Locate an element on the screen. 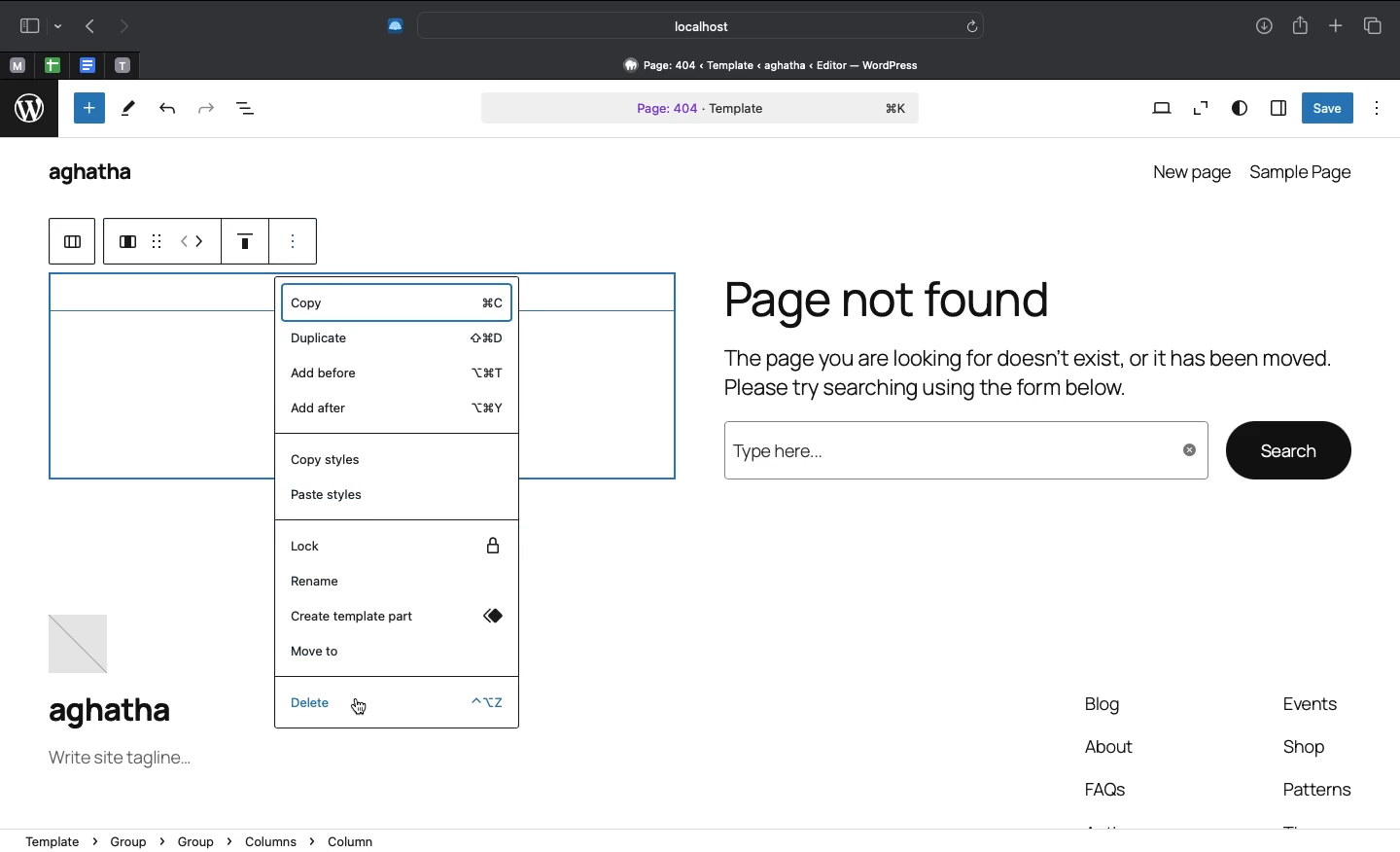 The width and height of the screenshot is (1400, 852). FAQs is located at coordinates (1111, 791).